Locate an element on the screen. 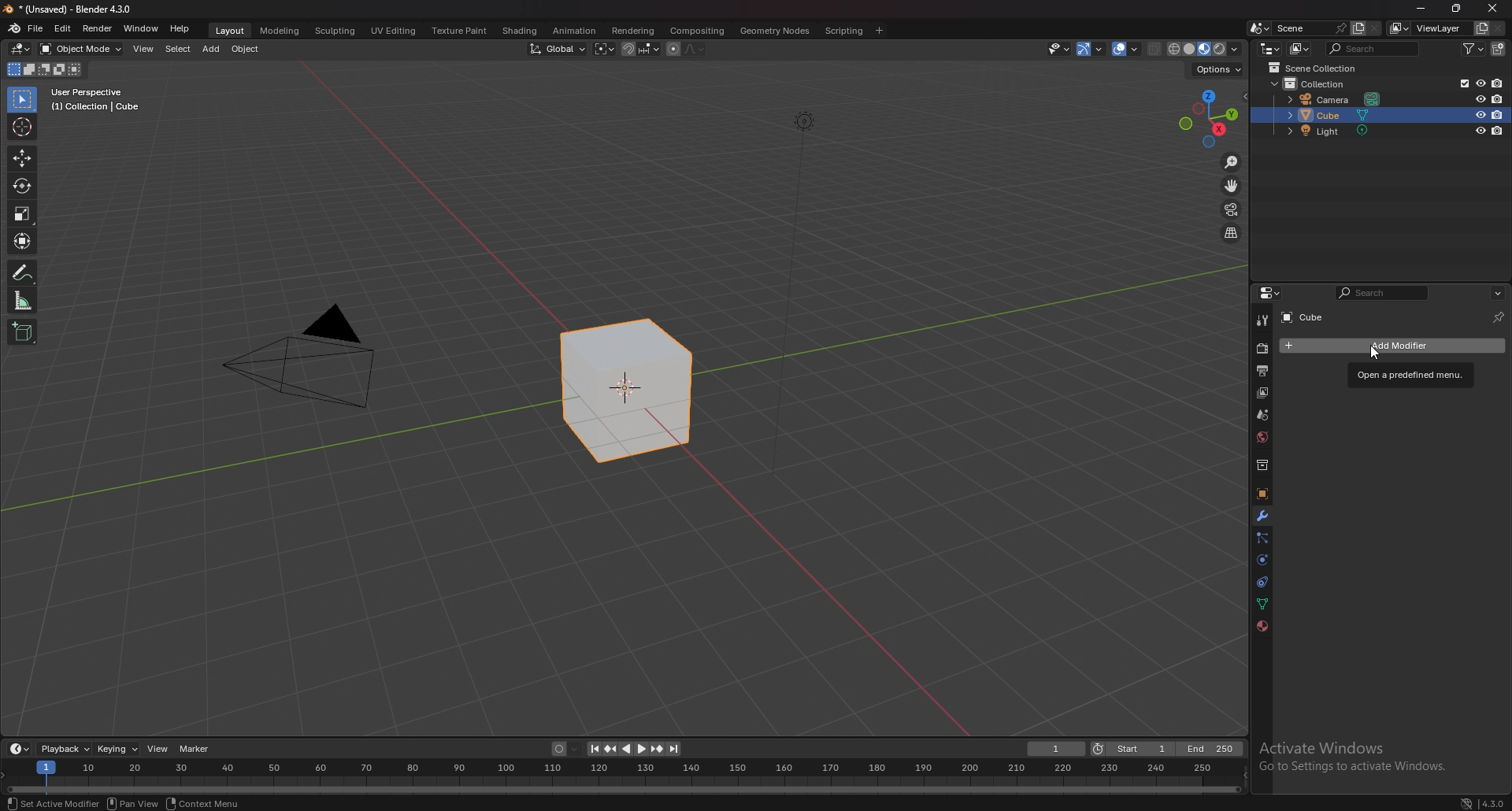  shading is located at coordinates (522, 30).